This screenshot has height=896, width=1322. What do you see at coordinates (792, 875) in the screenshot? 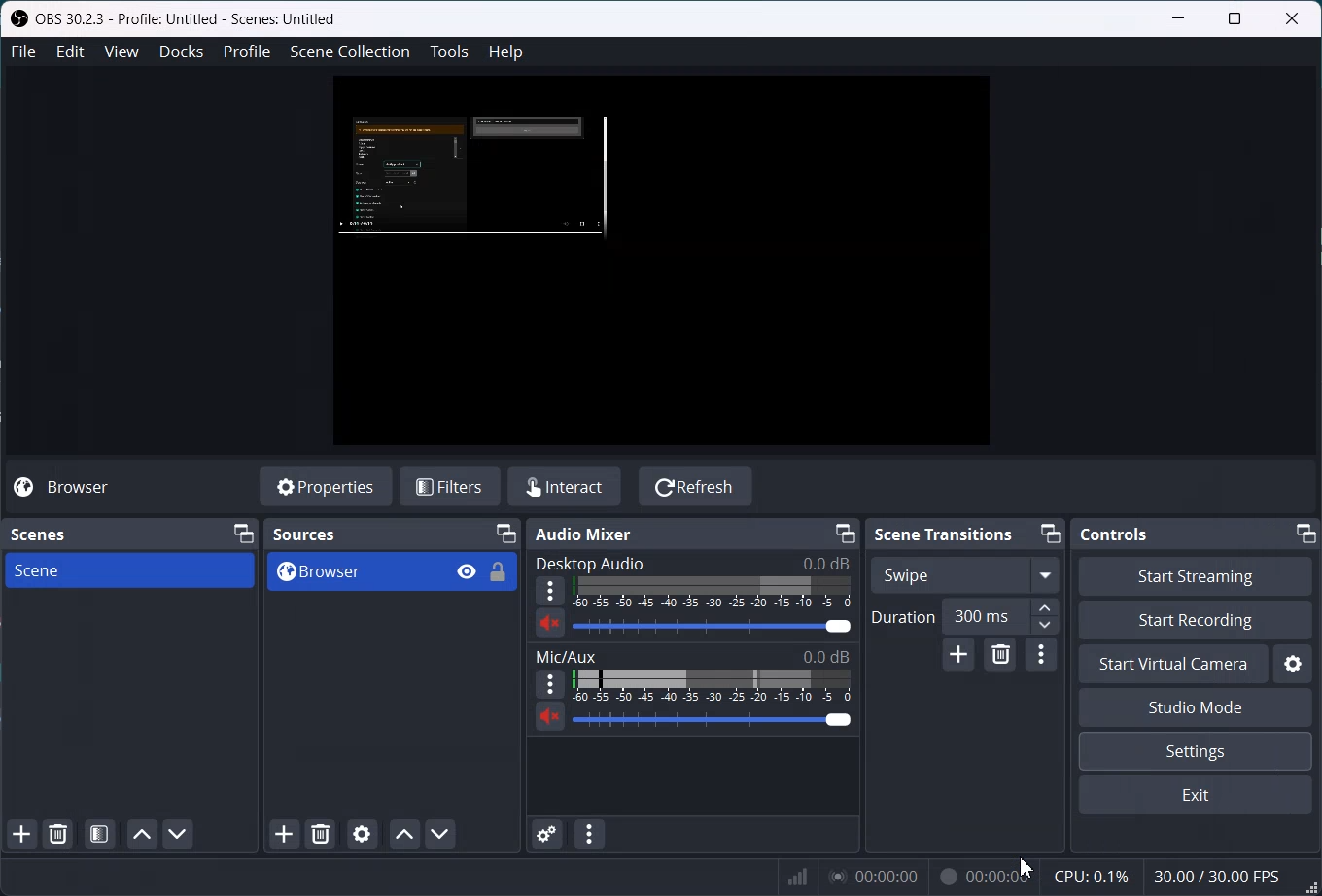
I see `Signals` at bounding box center [792, 875].